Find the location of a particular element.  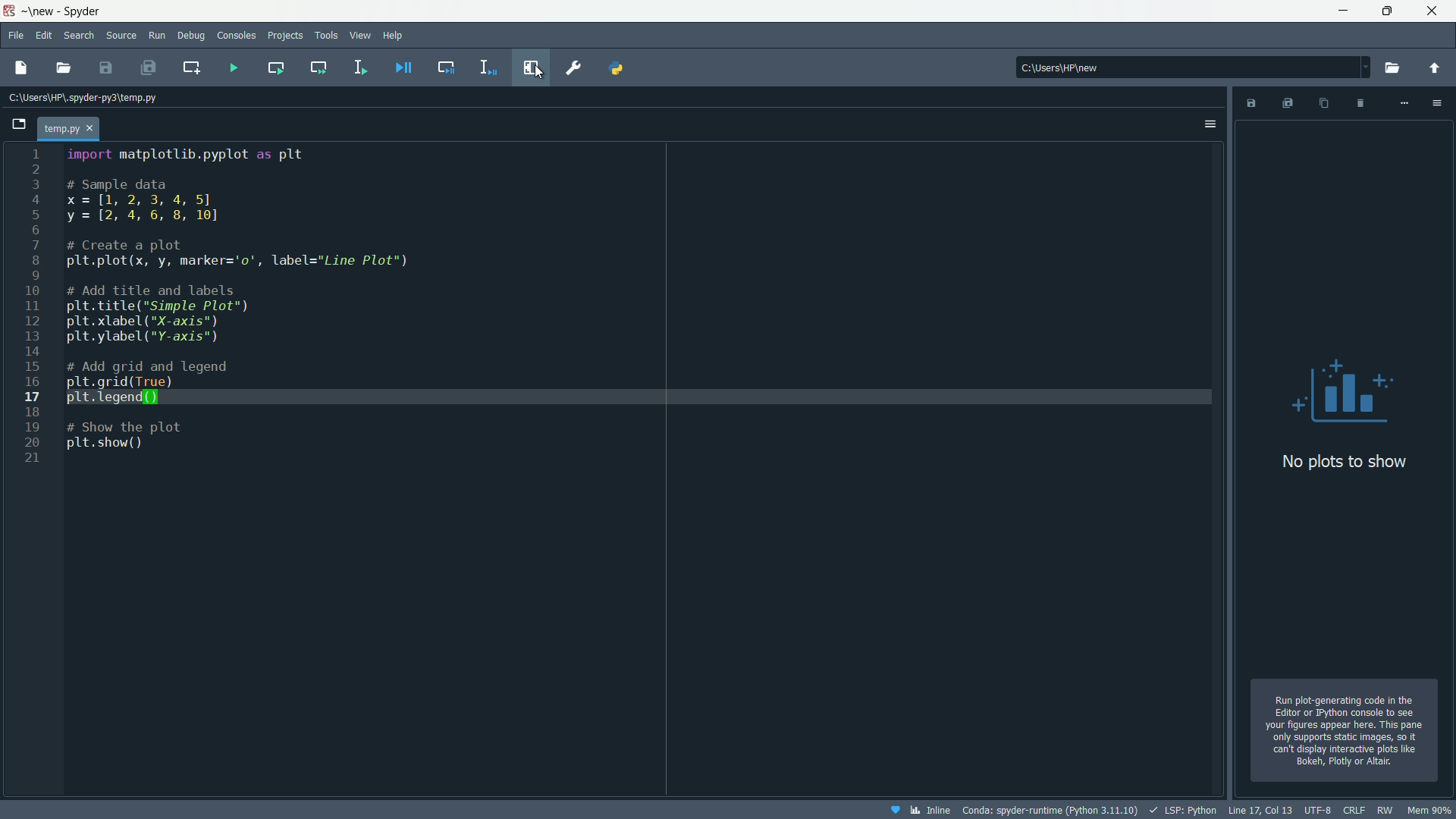

run selection is located at coordinates (360, 66).